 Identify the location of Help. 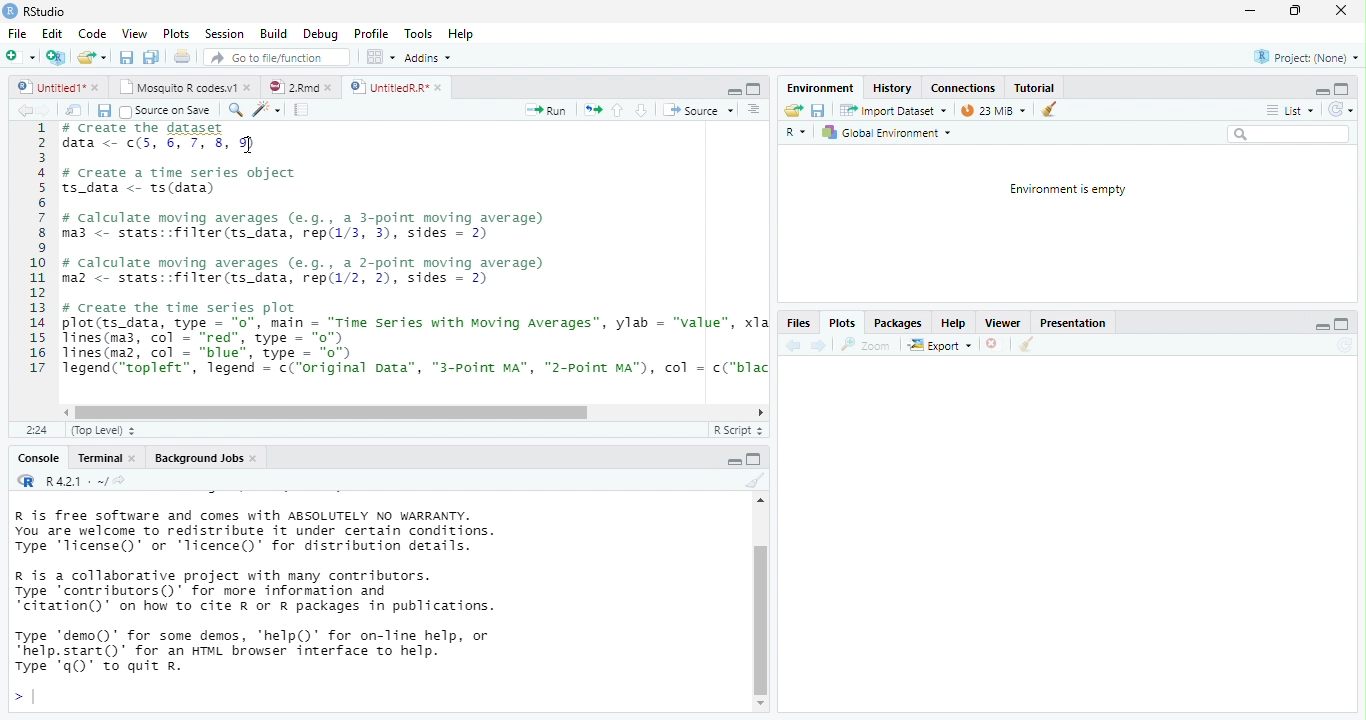
(951, 323).